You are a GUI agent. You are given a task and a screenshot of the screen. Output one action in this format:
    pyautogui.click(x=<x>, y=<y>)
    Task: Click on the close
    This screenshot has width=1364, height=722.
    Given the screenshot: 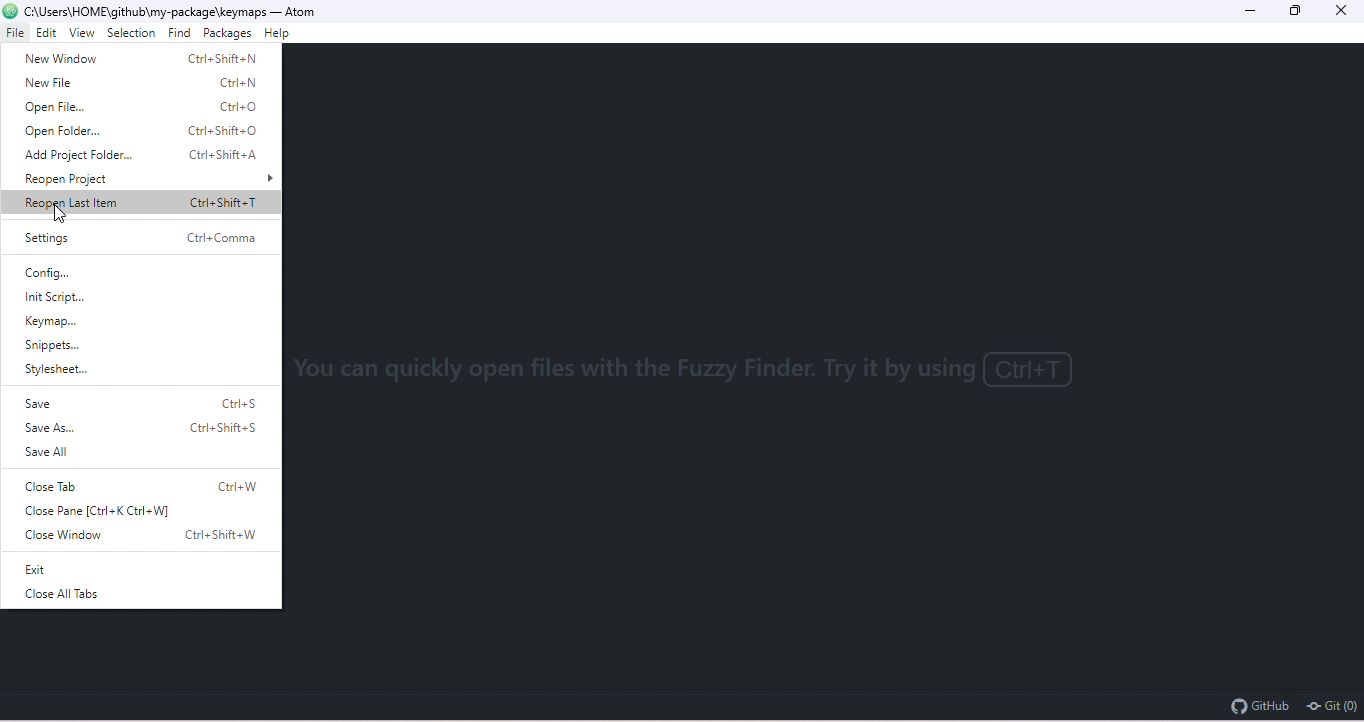 What is the action you would take?
    pyautogui.click(x=1345, y=11)
    